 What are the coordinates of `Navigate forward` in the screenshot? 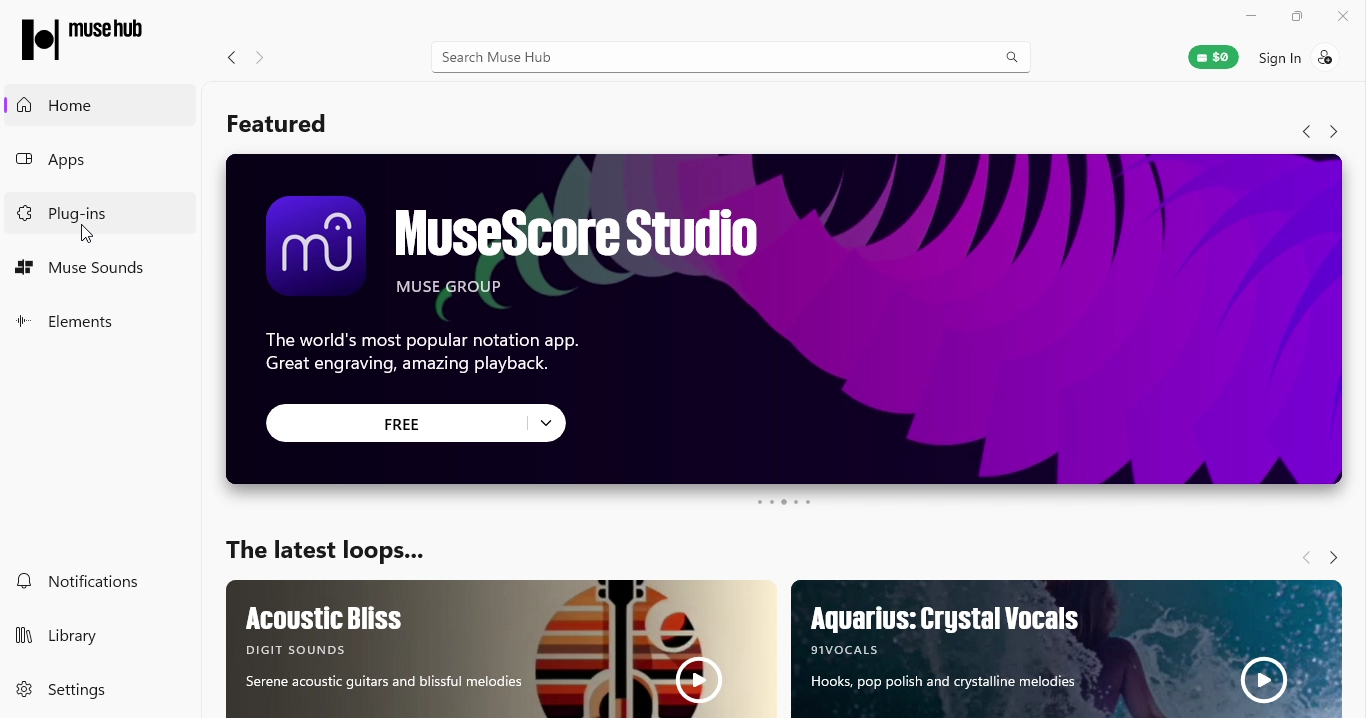 It's located at (1337, 134).